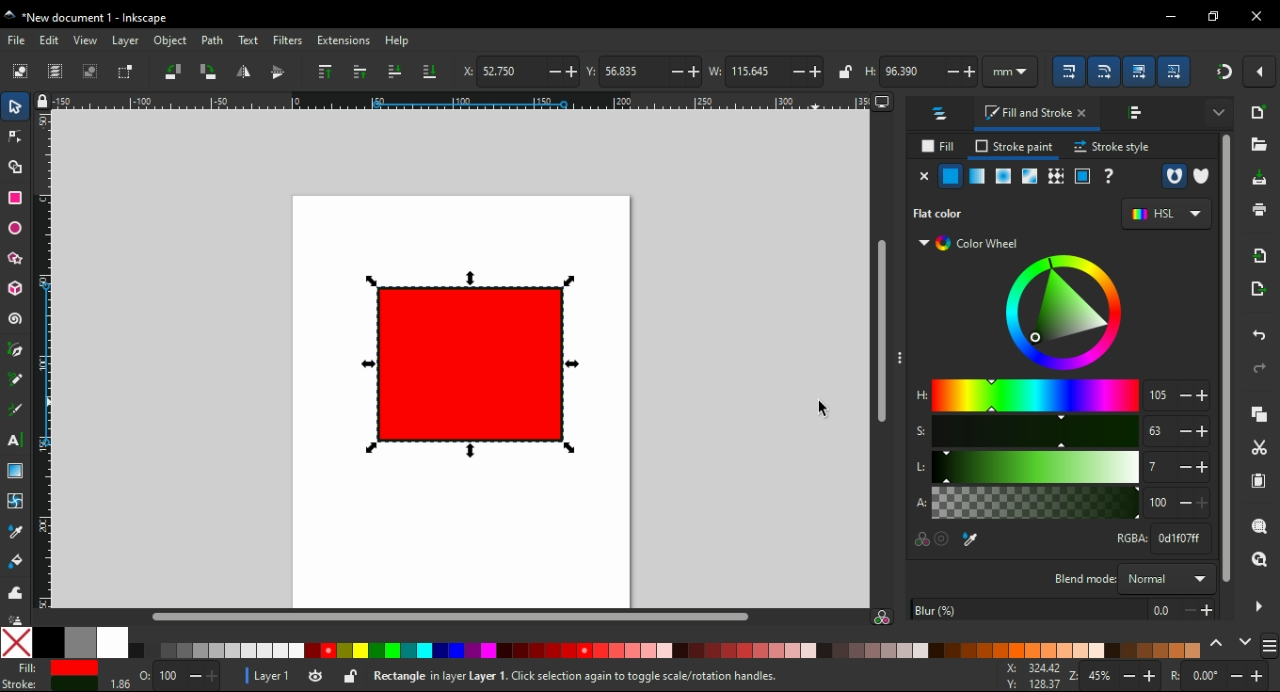 The width and height of the screenshot is (1280, 692). I want to click on lock, so click(844, 72).